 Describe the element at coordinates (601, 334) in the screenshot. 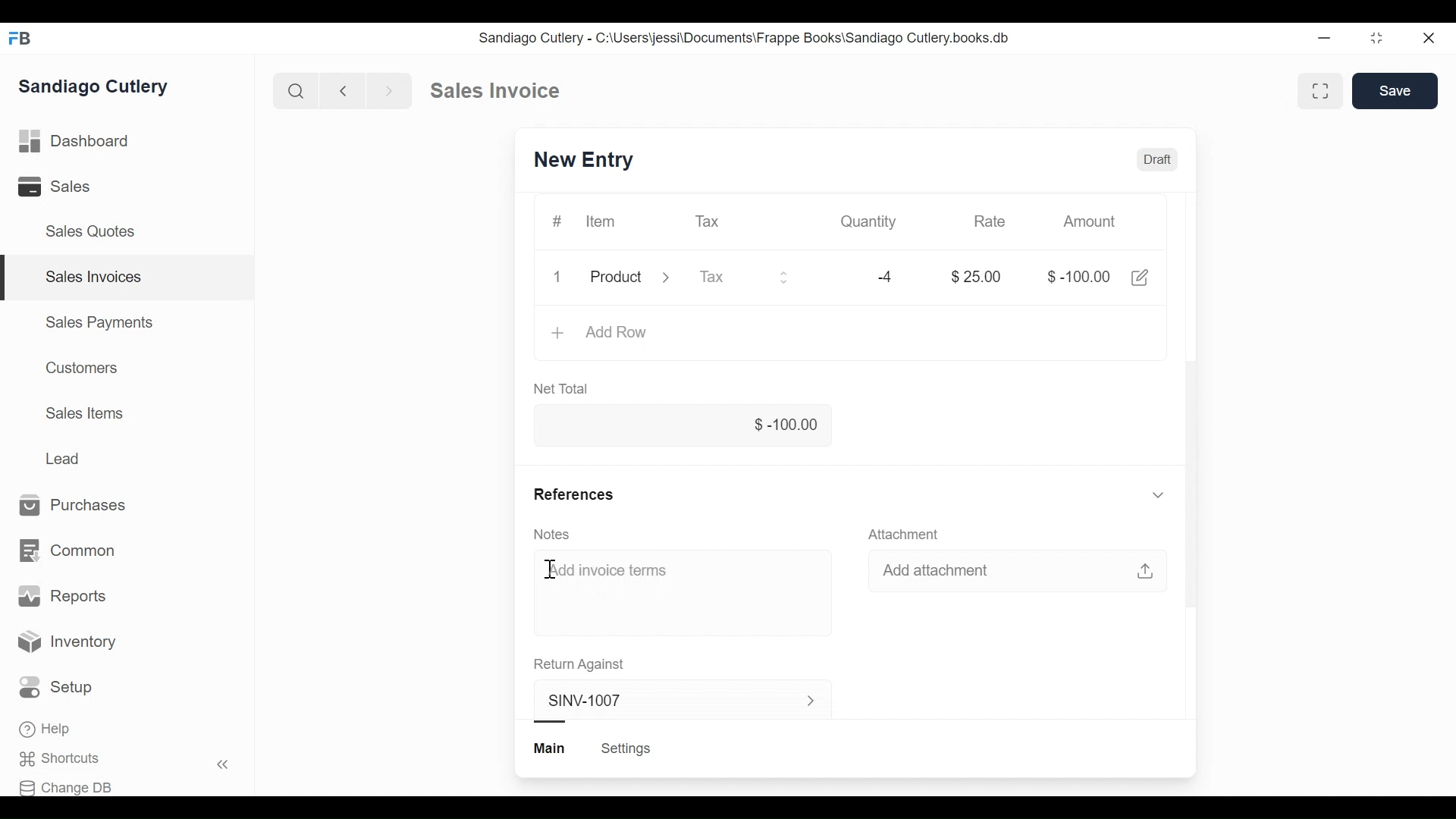

I see `Add Row` at that location.